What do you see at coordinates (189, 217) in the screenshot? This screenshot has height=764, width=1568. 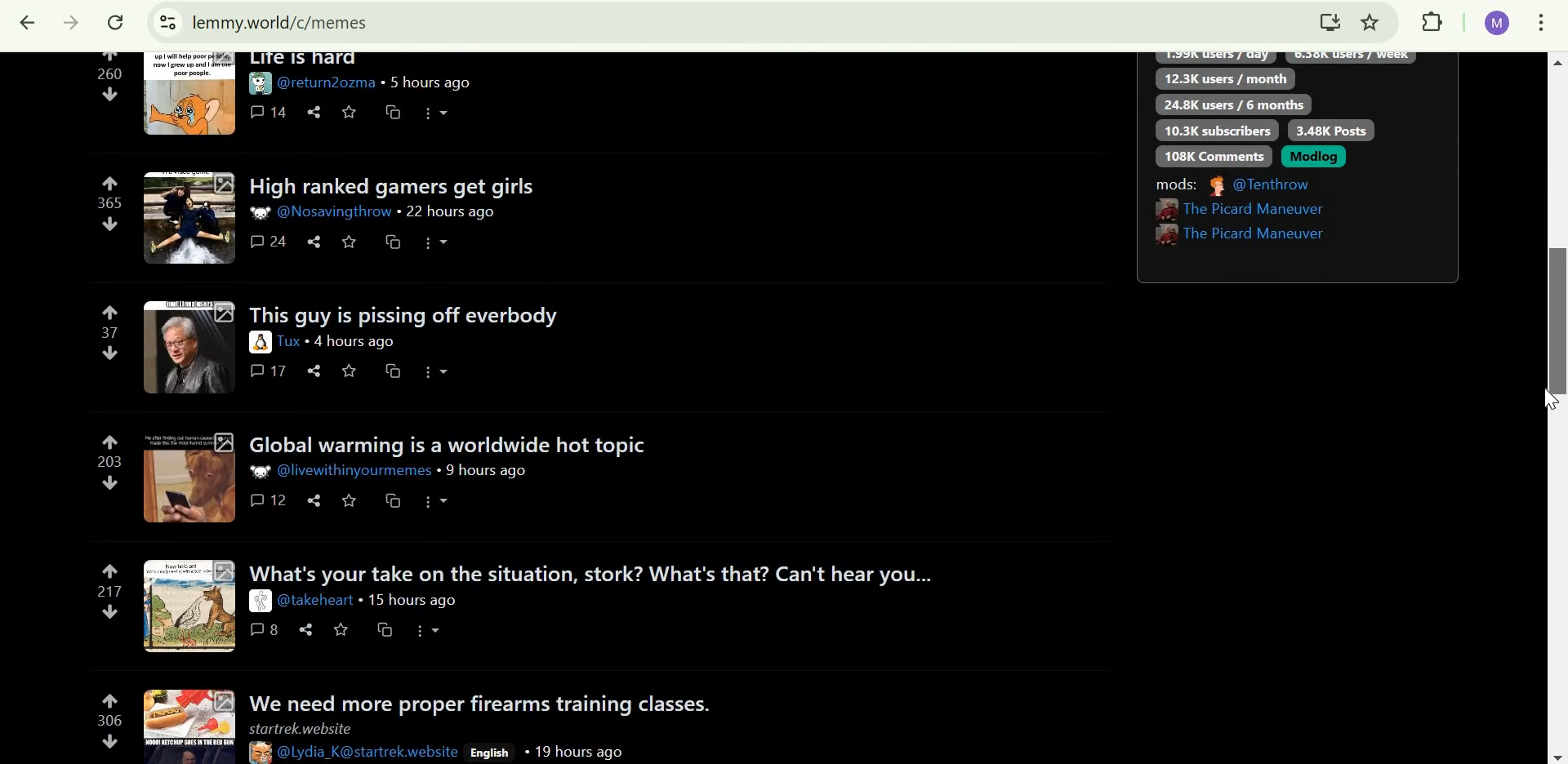 I see `expand here` at bounding box center [189, 217].